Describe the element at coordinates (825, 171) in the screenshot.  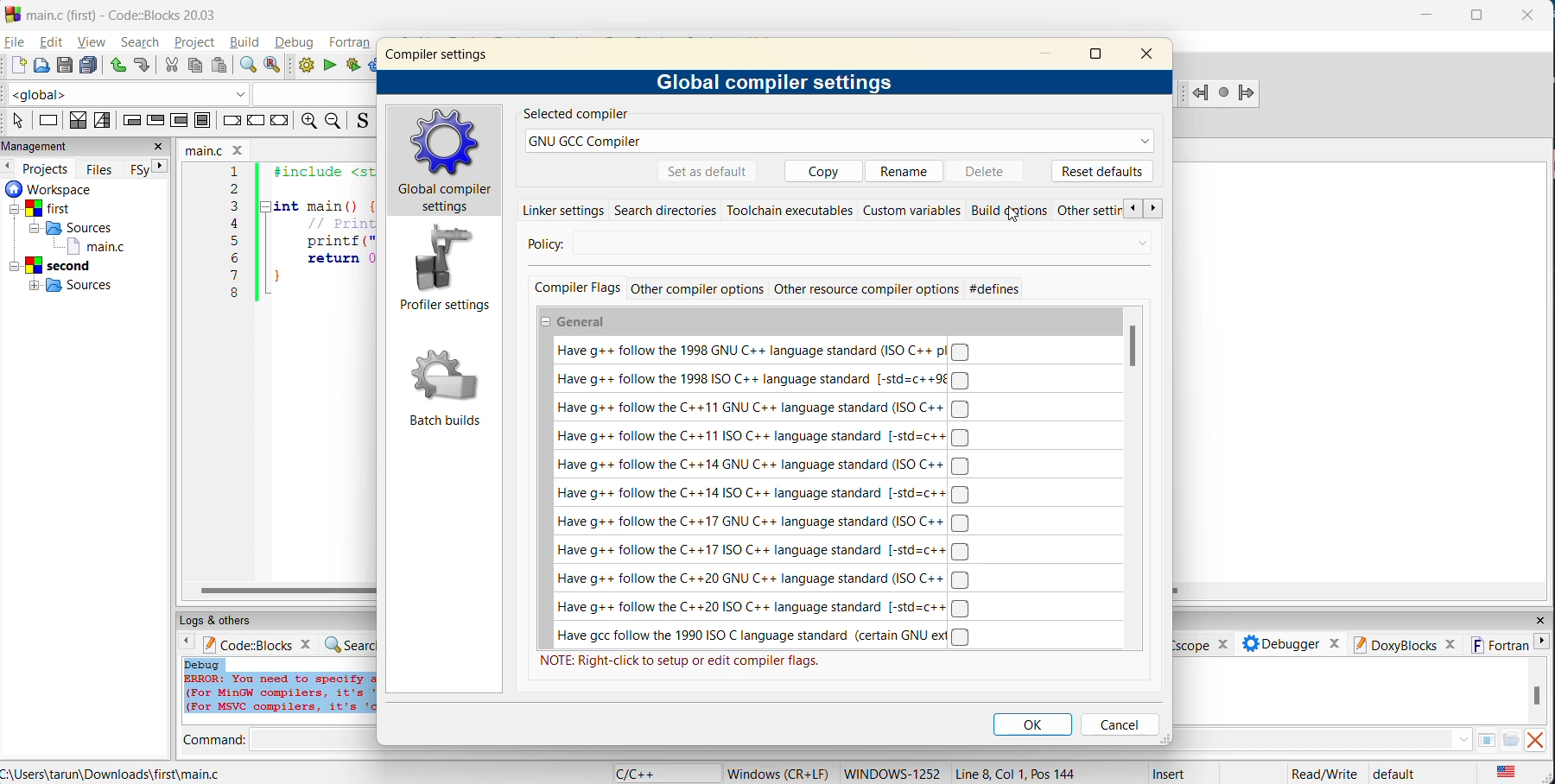
I see `copy` at that location.